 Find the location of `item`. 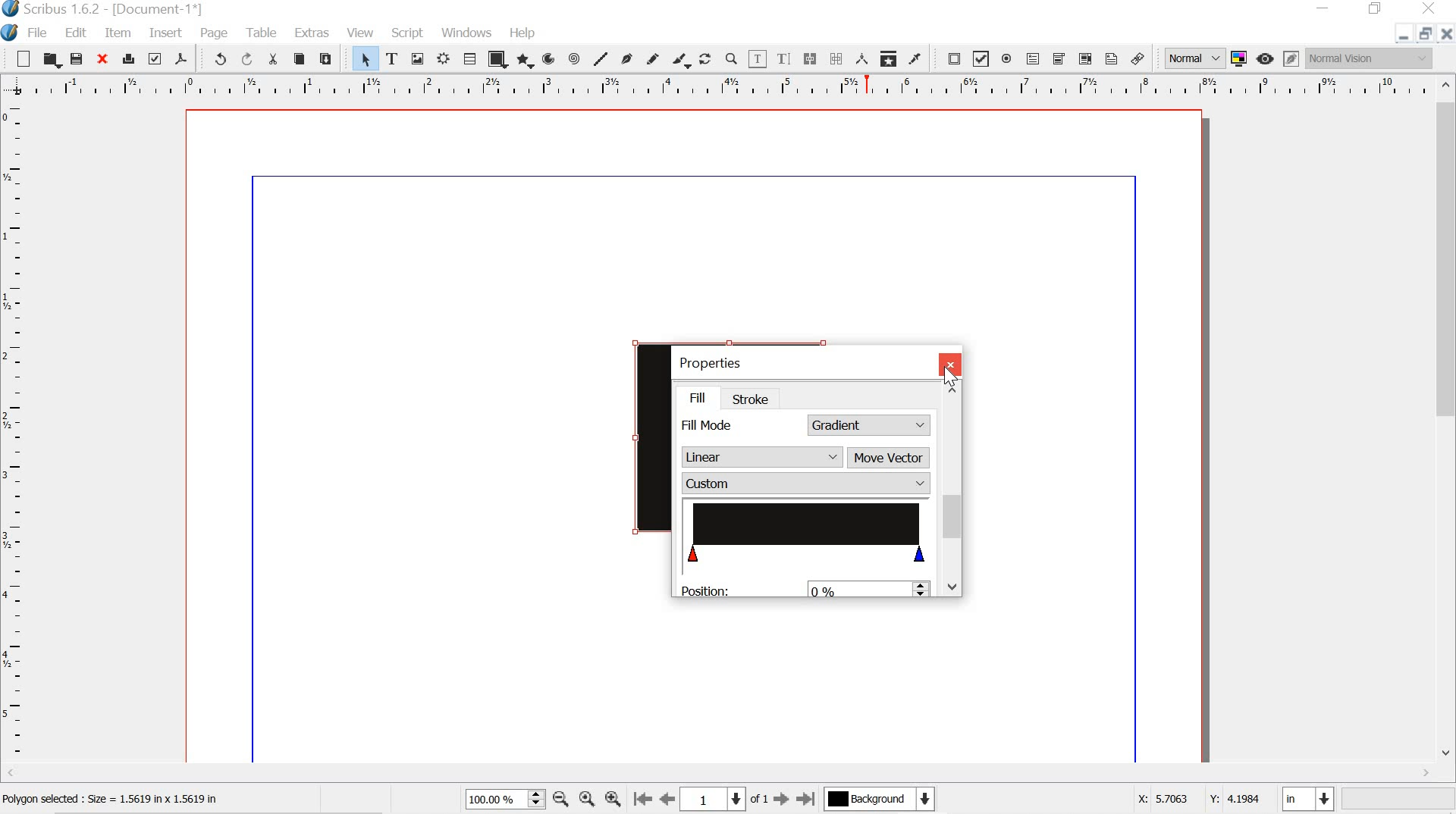

item is located at coordinates (118, 33).